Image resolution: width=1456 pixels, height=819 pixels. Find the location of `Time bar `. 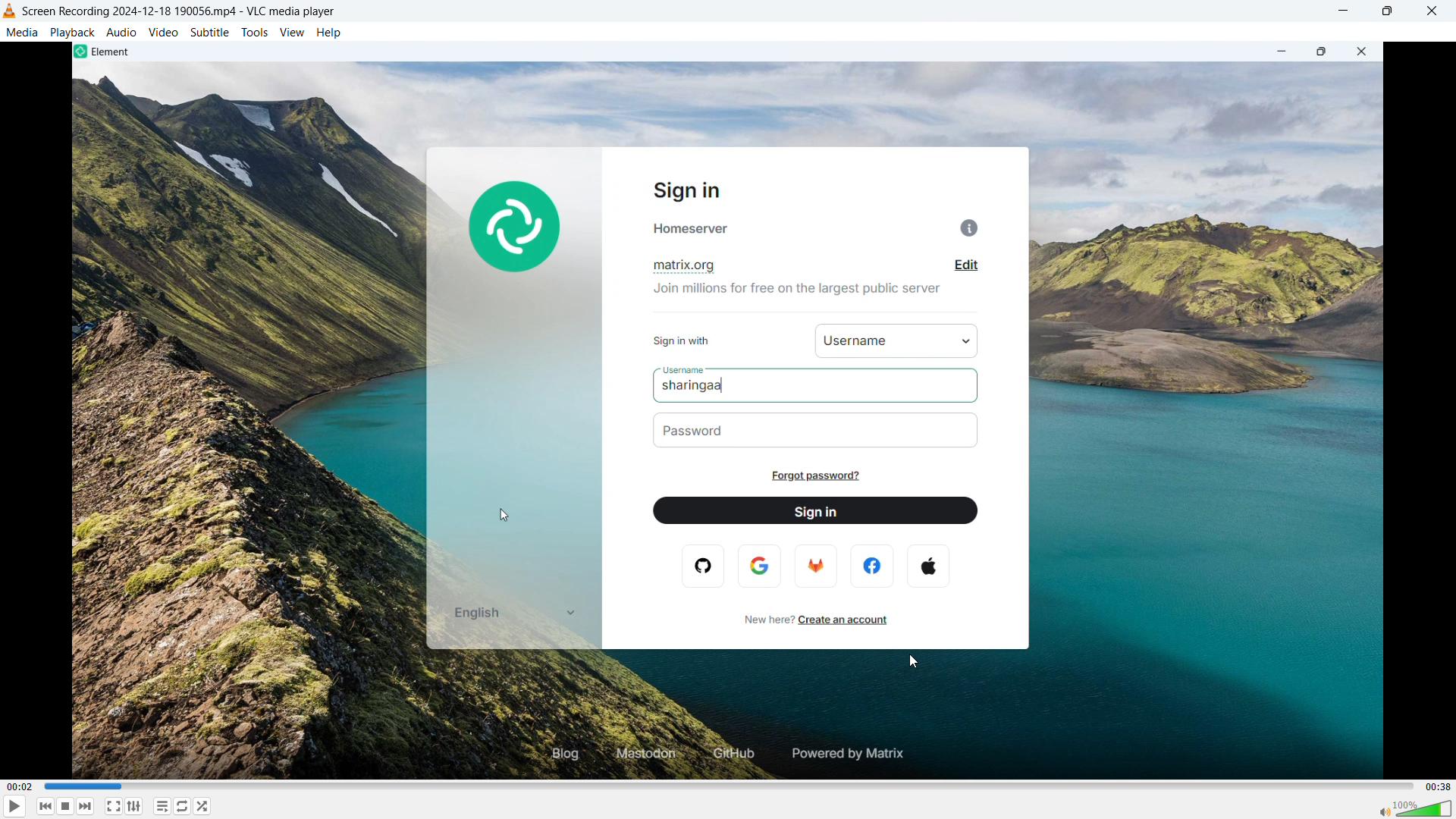

Time bar  is located at coordinates (732, 786).